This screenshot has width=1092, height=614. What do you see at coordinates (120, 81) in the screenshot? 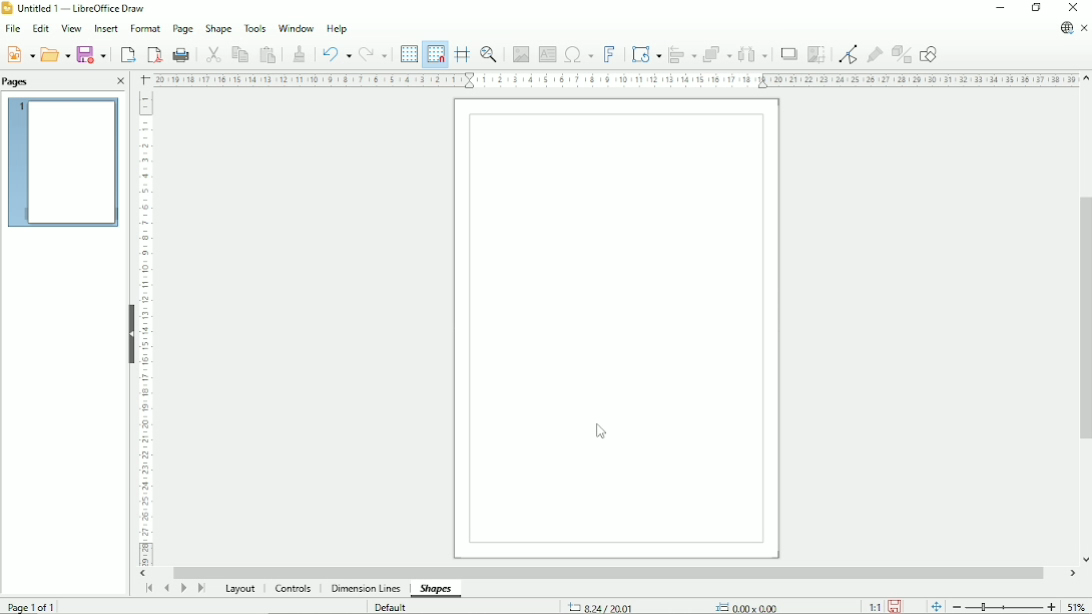
I see `Close` at bounding box center [120, 81].